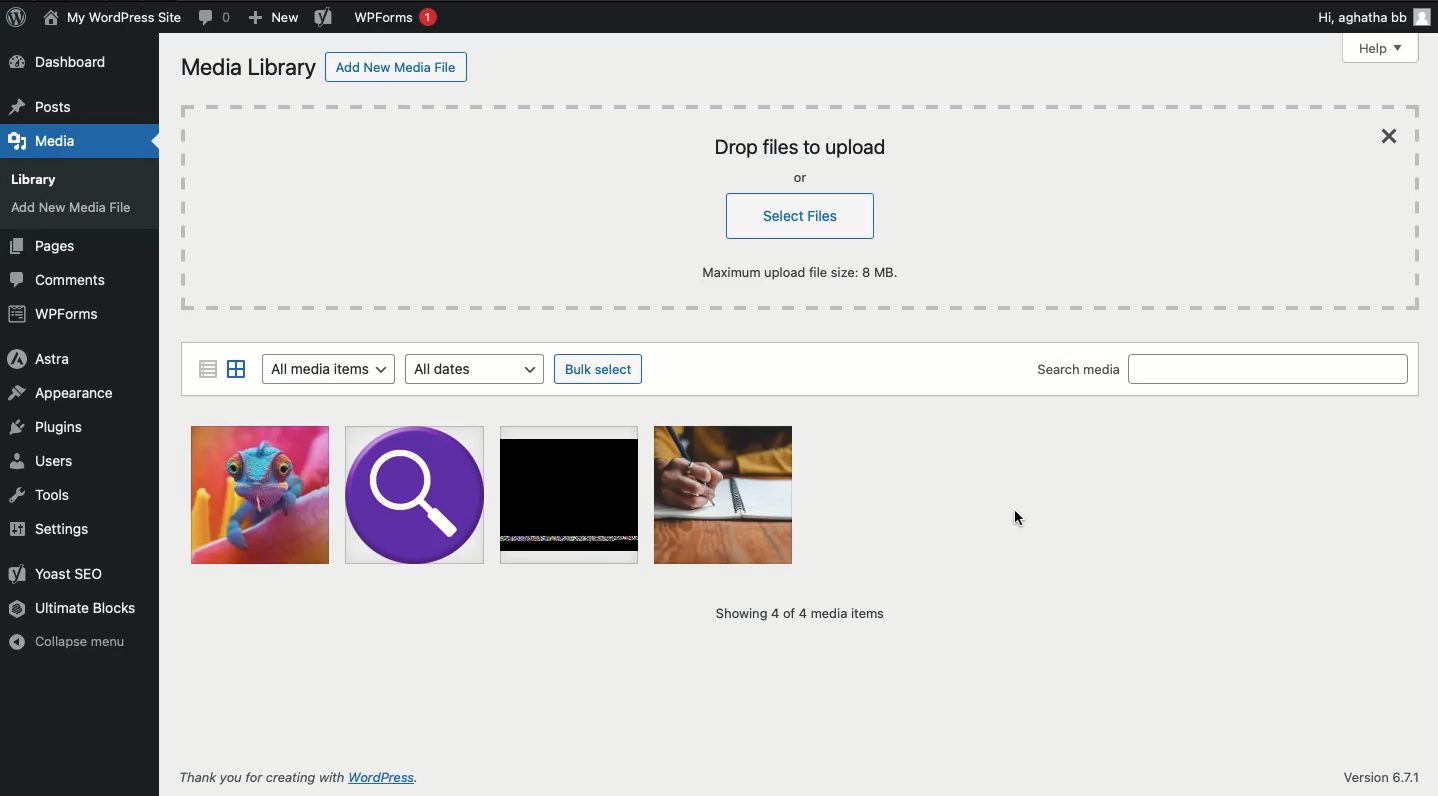  What do you see at coordinates (48, 427) in the screenshot?
I see `Plugins` at bounding box center [48, 427].